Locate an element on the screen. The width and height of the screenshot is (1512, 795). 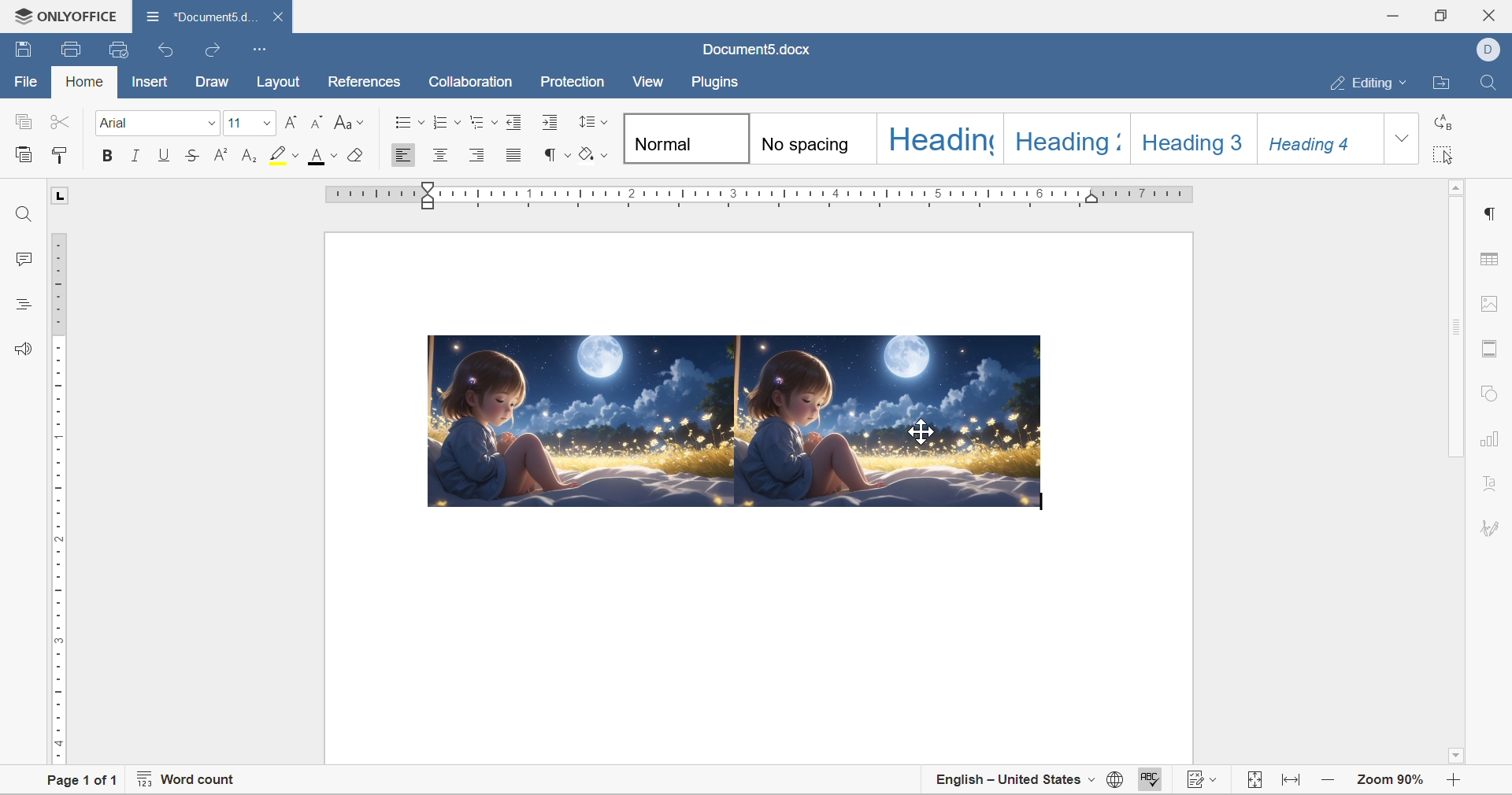
Align left is located at coordinates (404, 154).